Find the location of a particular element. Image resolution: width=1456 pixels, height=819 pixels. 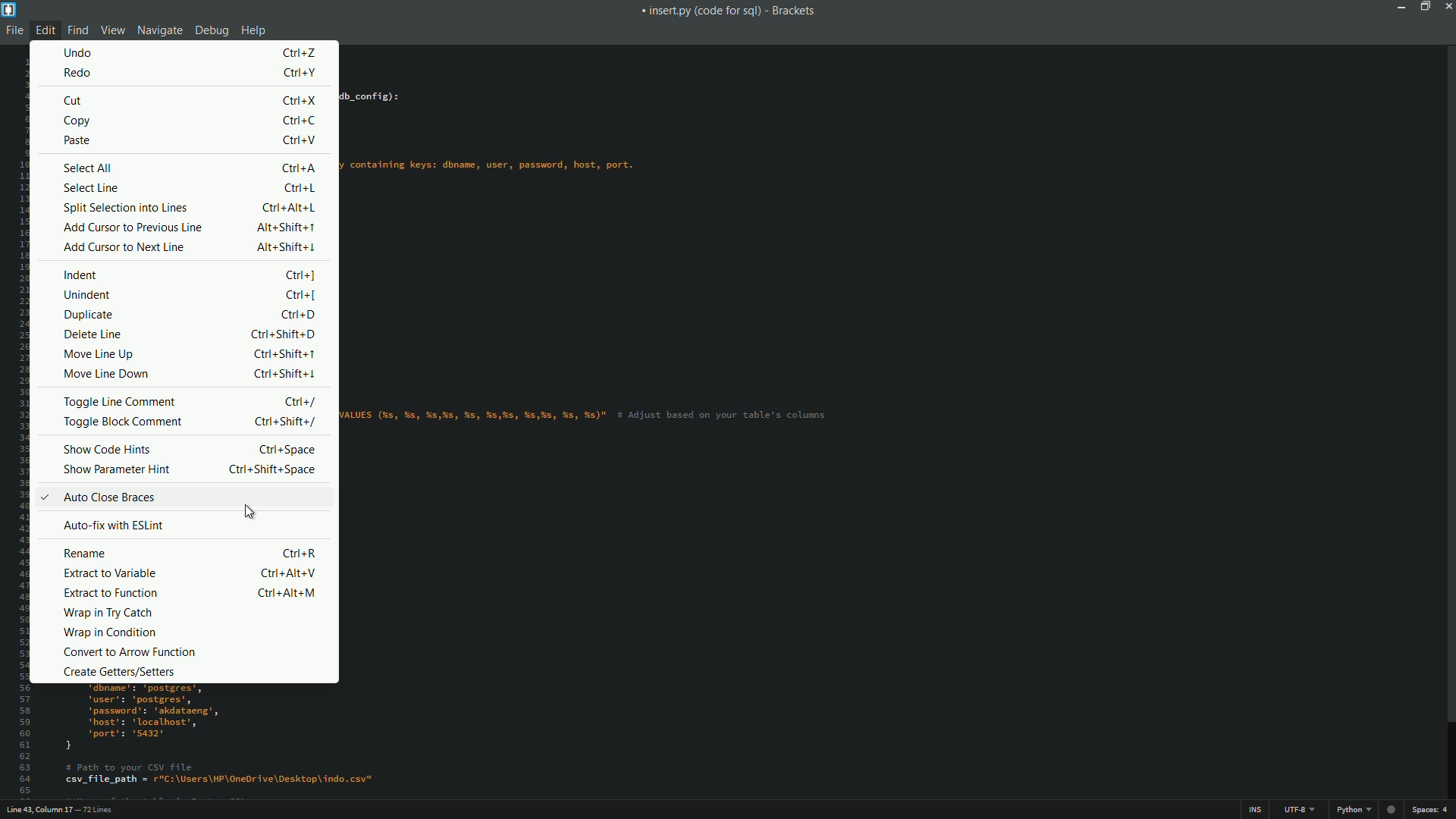

keyboard shortcut is located at coordinates (283, 372).